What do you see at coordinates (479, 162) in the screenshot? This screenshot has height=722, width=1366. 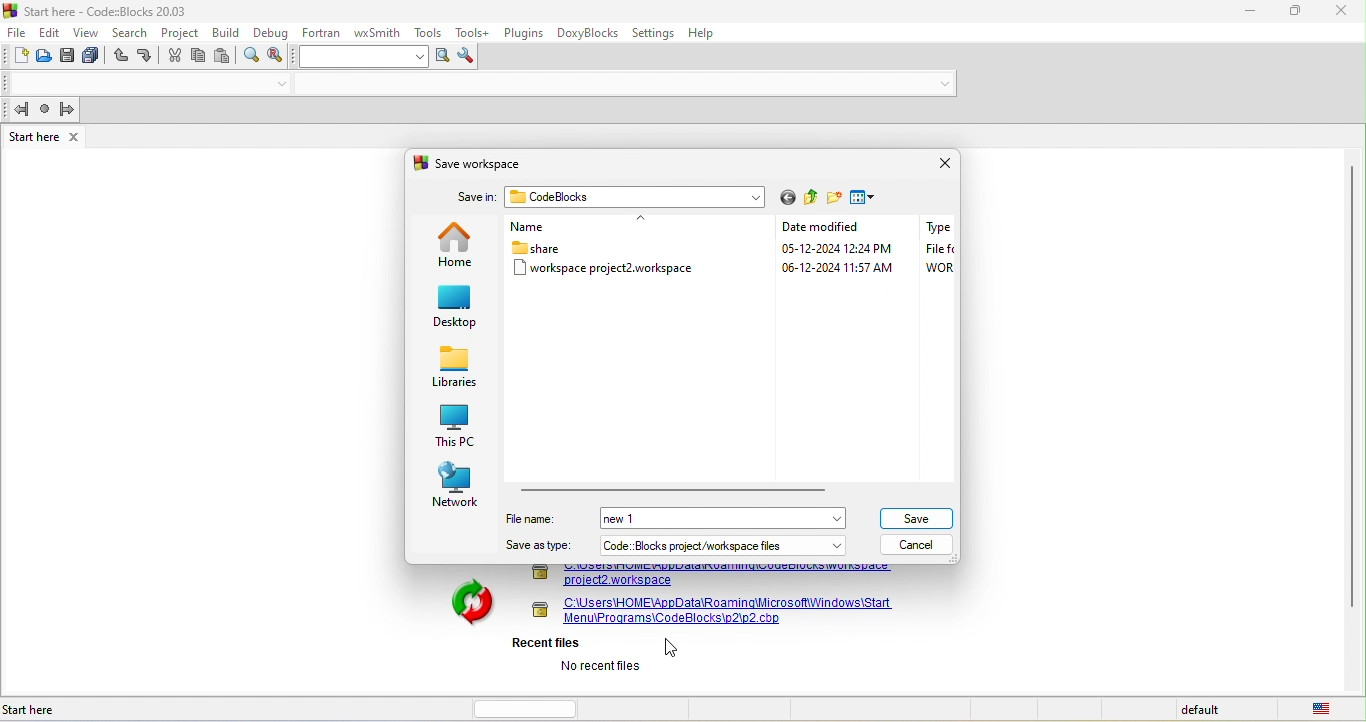 I see `save workspace` at bounding box center [479, 162].